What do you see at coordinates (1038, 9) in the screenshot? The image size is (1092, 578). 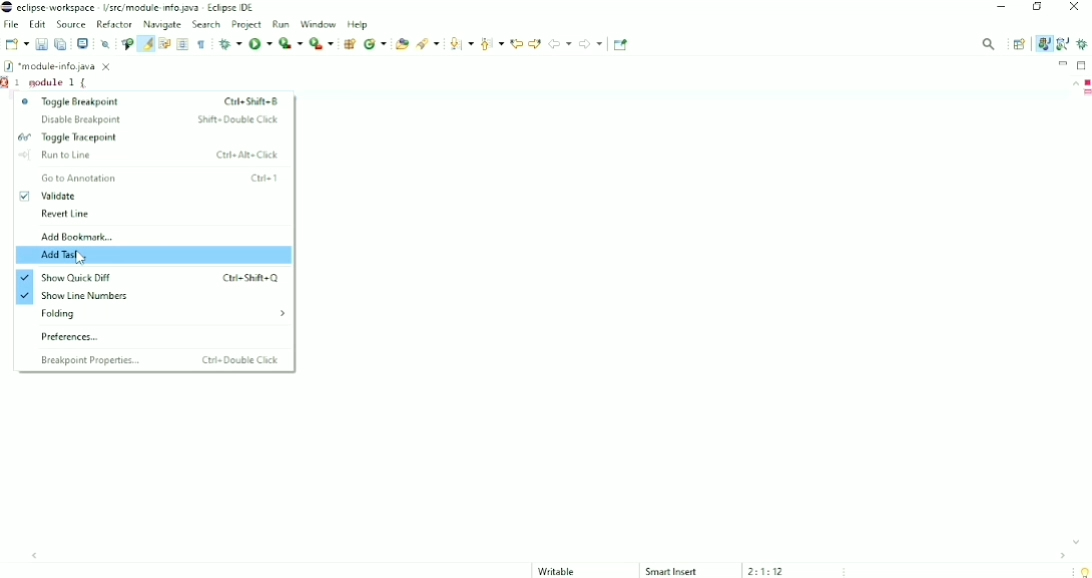 I see `Restore down` at bounding box center [1038, 9].